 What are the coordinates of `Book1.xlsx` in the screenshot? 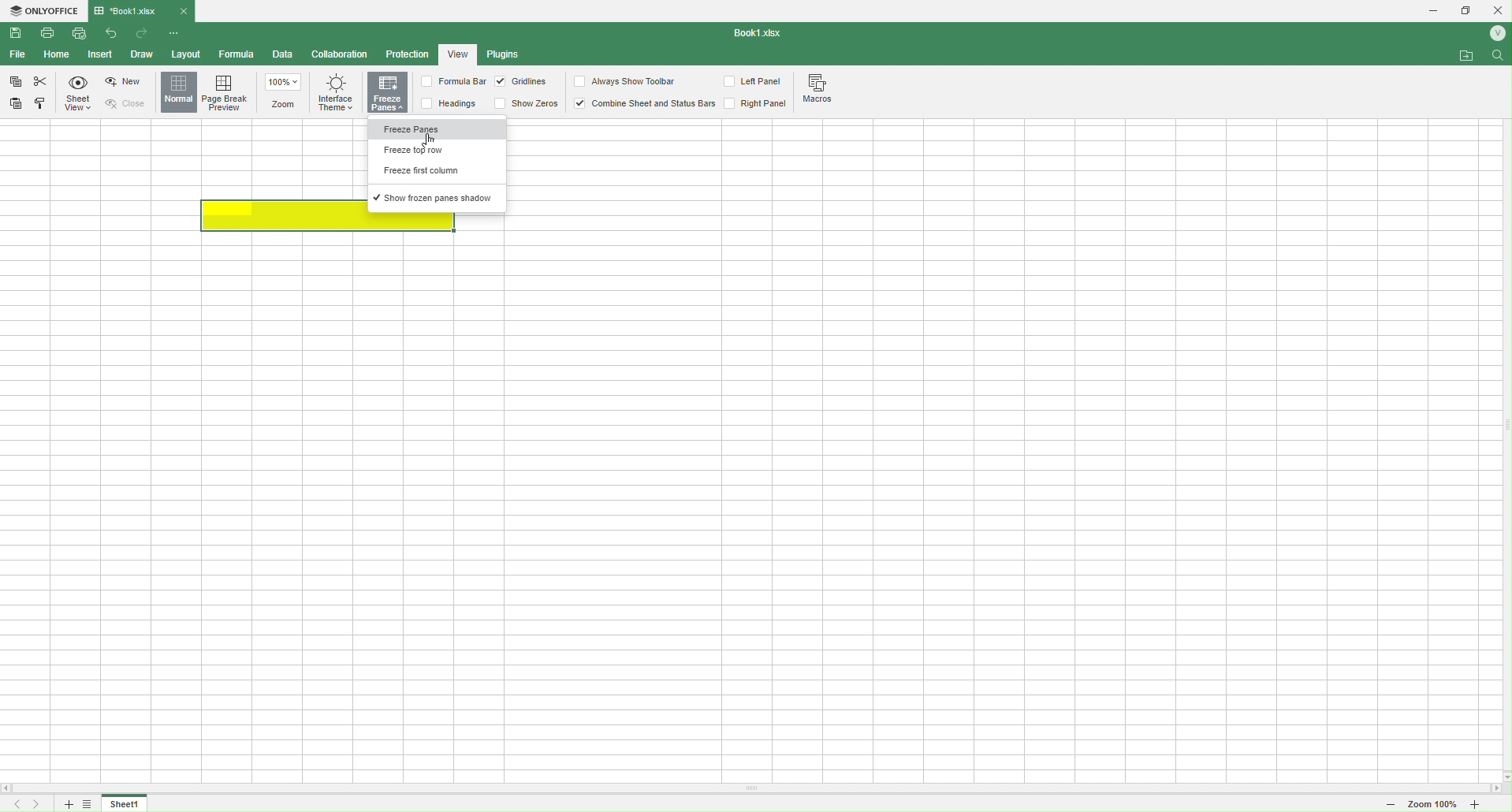 It's located at (762, 34).